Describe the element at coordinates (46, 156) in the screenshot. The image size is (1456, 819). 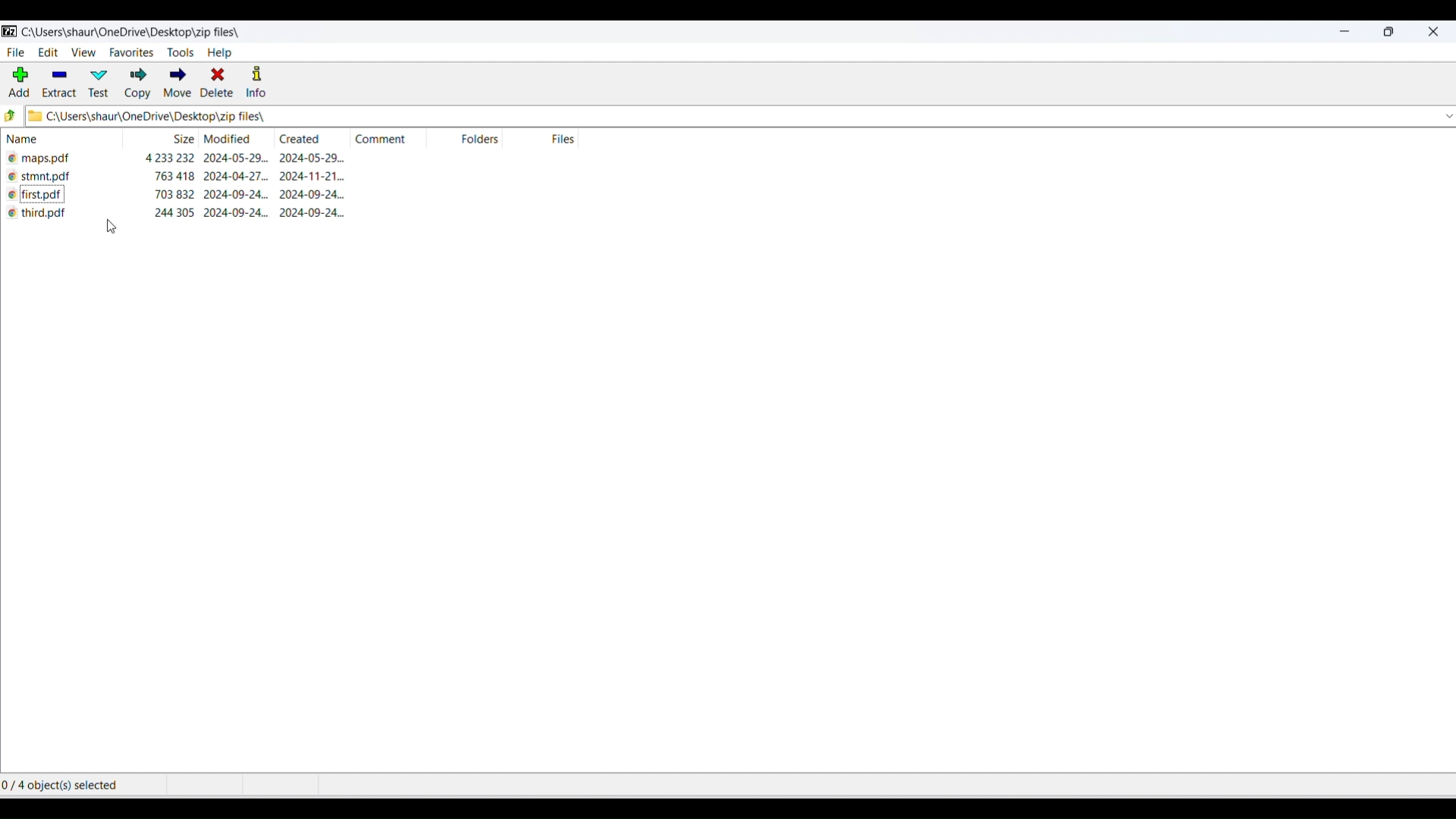
I see `file name` at that location.